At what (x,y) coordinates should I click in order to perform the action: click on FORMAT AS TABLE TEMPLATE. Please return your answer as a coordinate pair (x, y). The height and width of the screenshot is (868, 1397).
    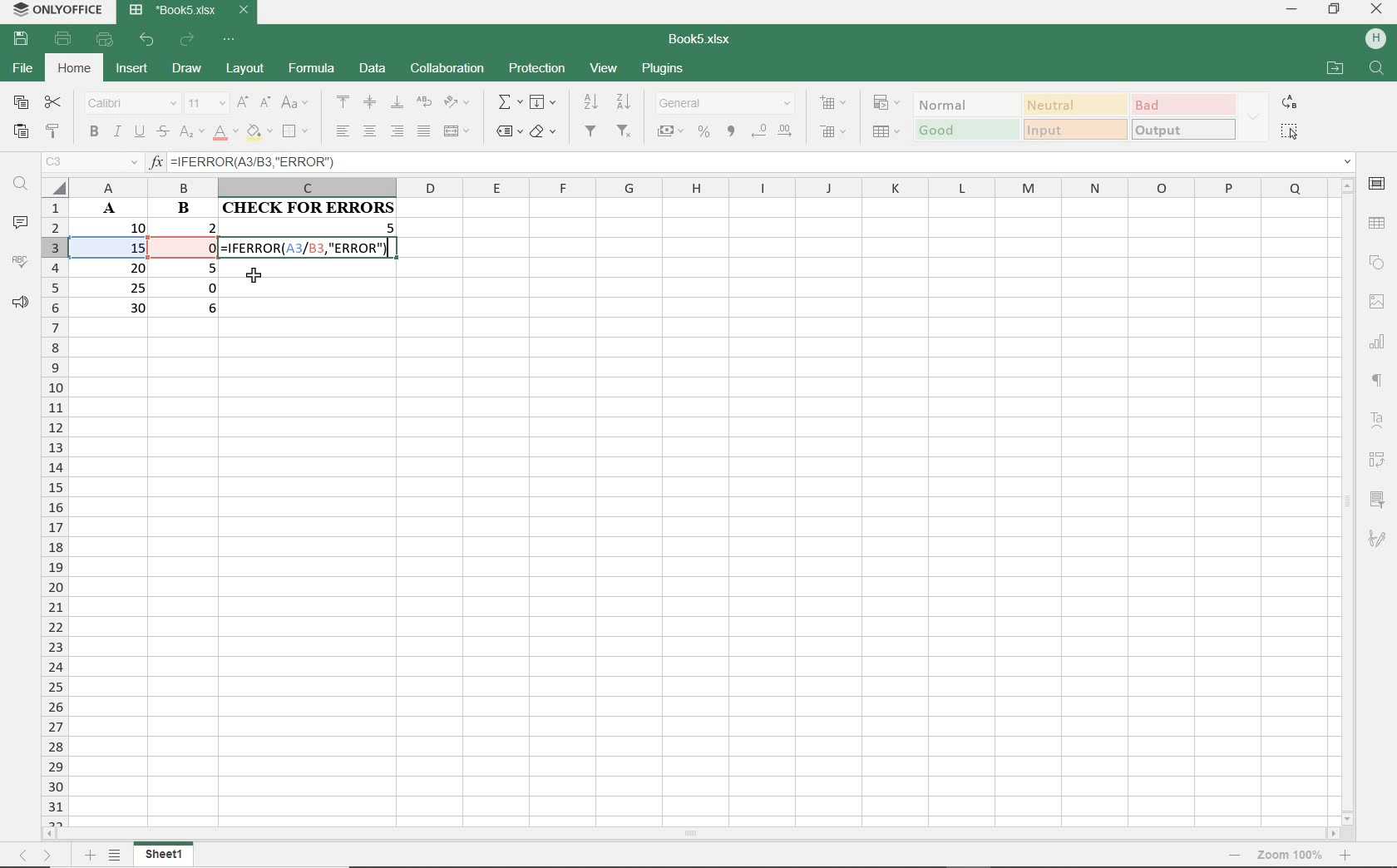
    Looking at the image, I should click on (886, 131).